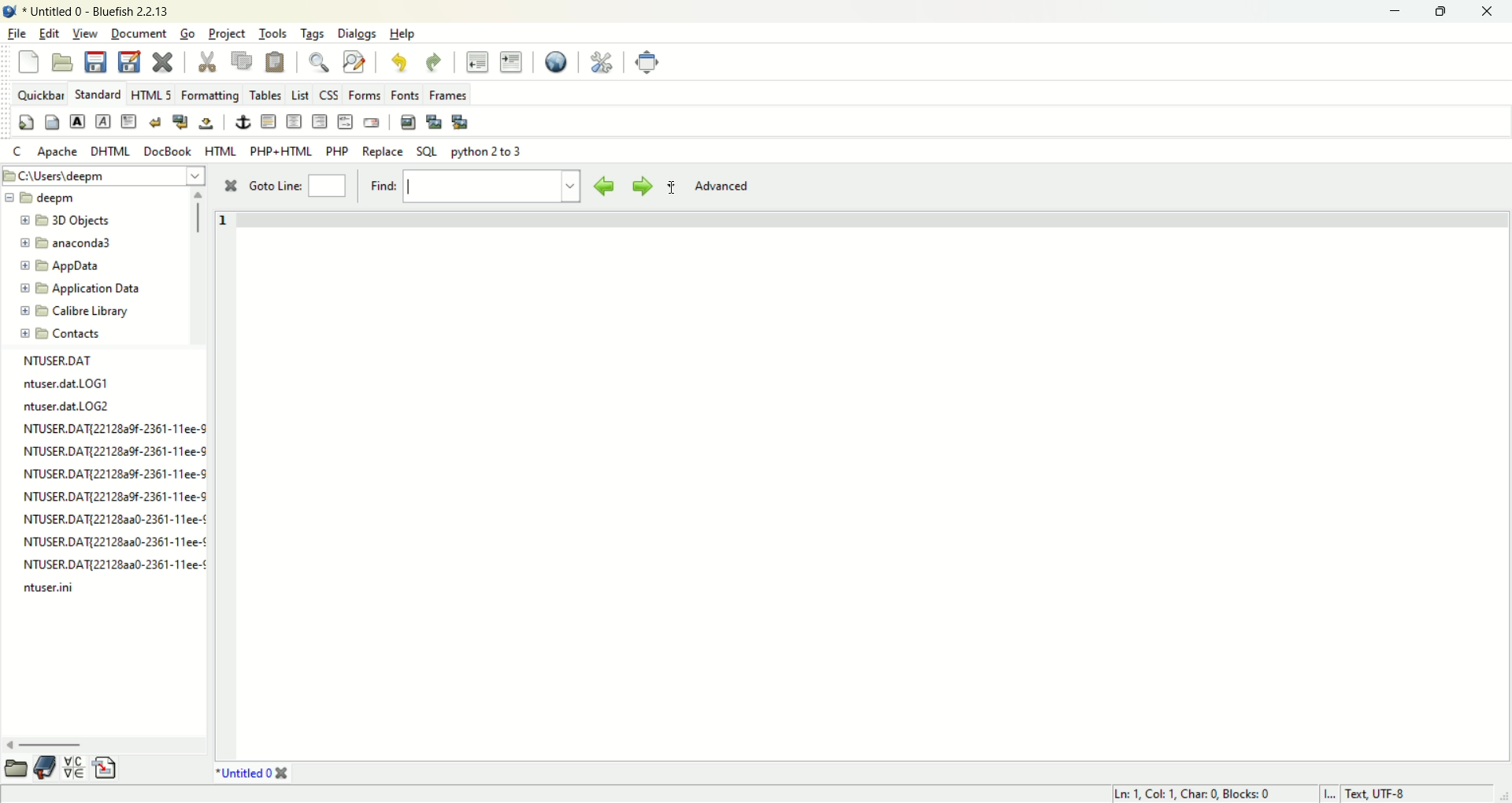 The image size is (1512, 803). I want to click on more options, so click(670, 188).